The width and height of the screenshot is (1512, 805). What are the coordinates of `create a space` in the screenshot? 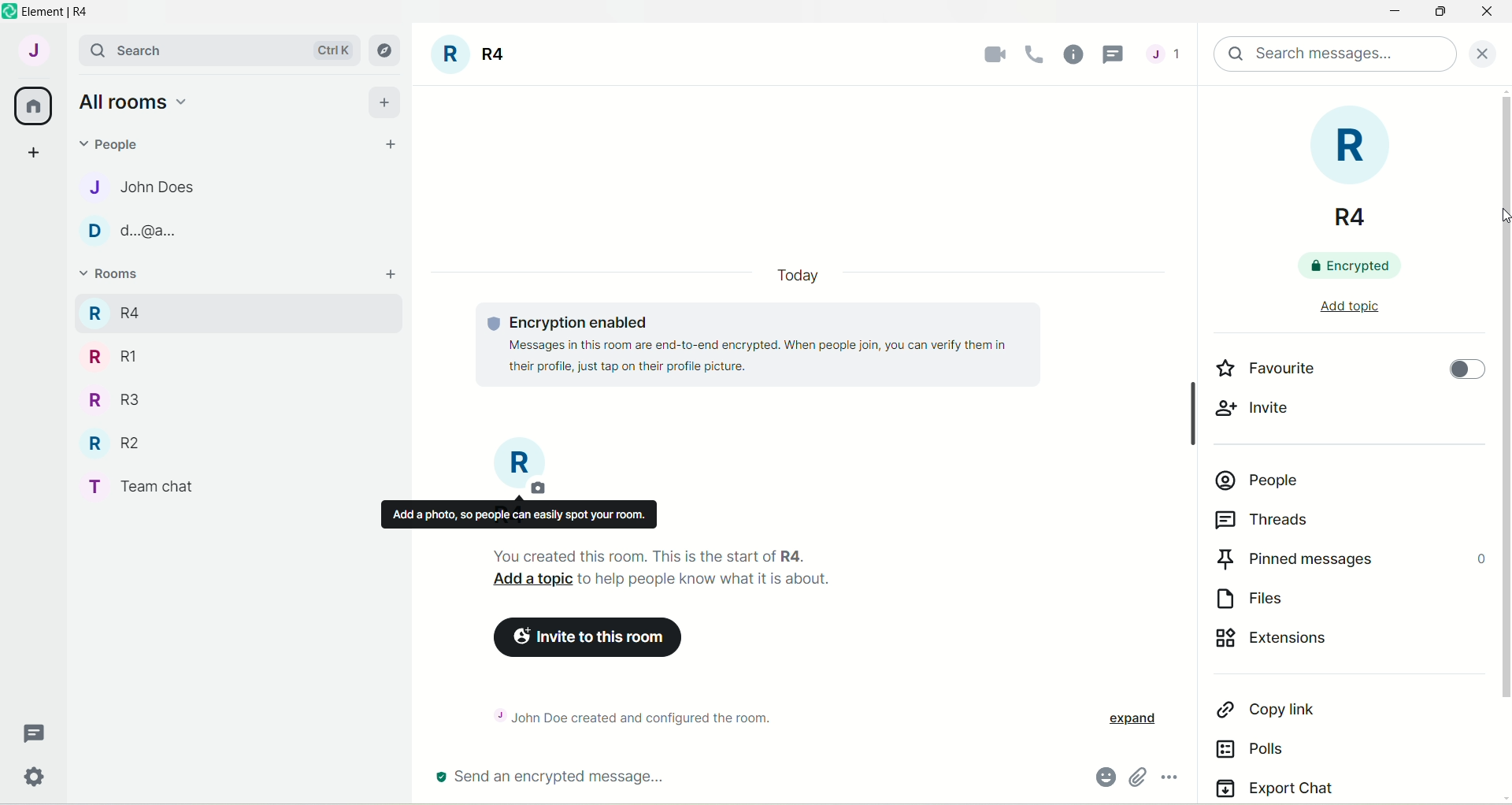 It's located at (32, 151).